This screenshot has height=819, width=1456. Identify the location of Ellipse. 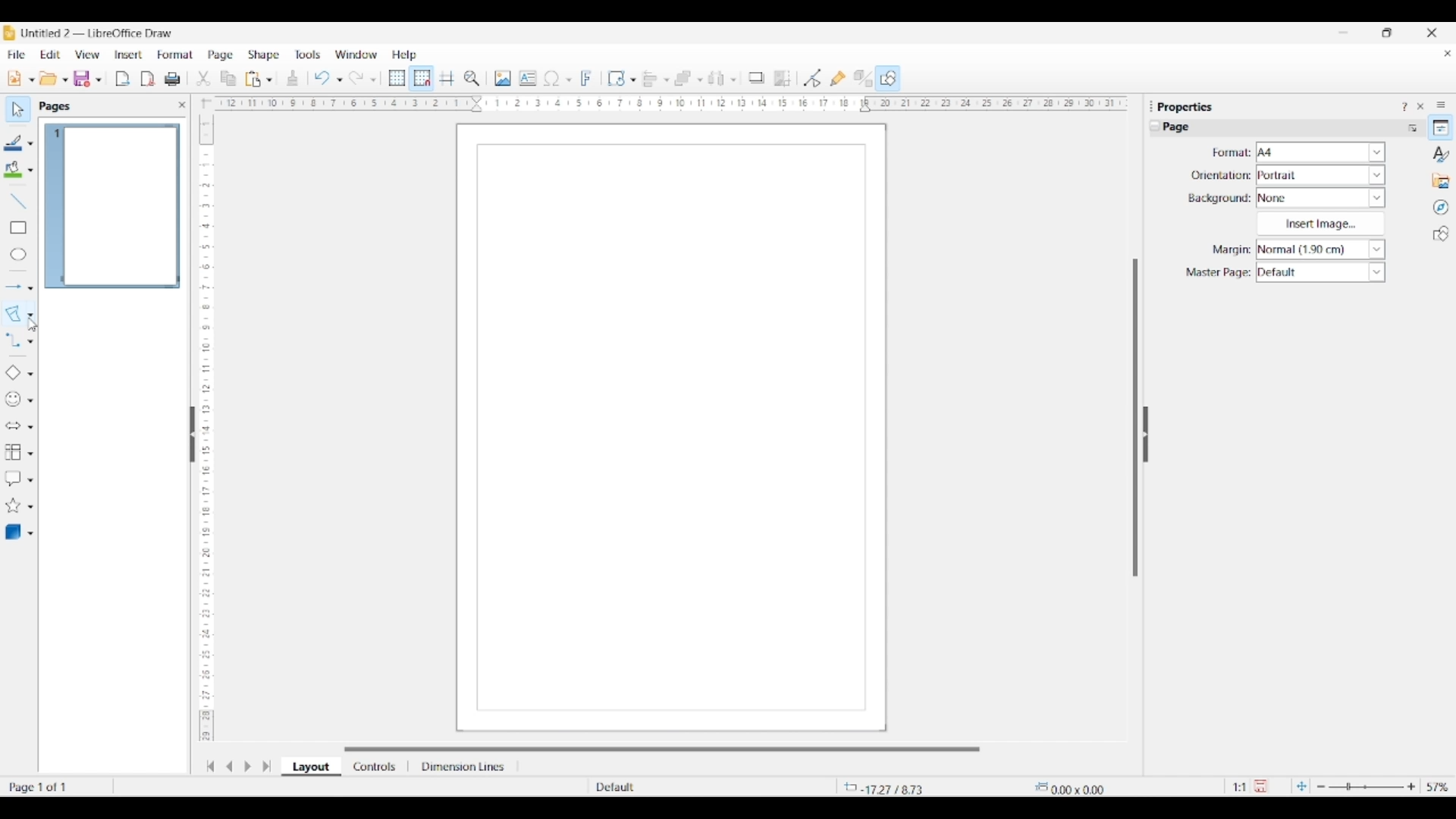
(18, 254).